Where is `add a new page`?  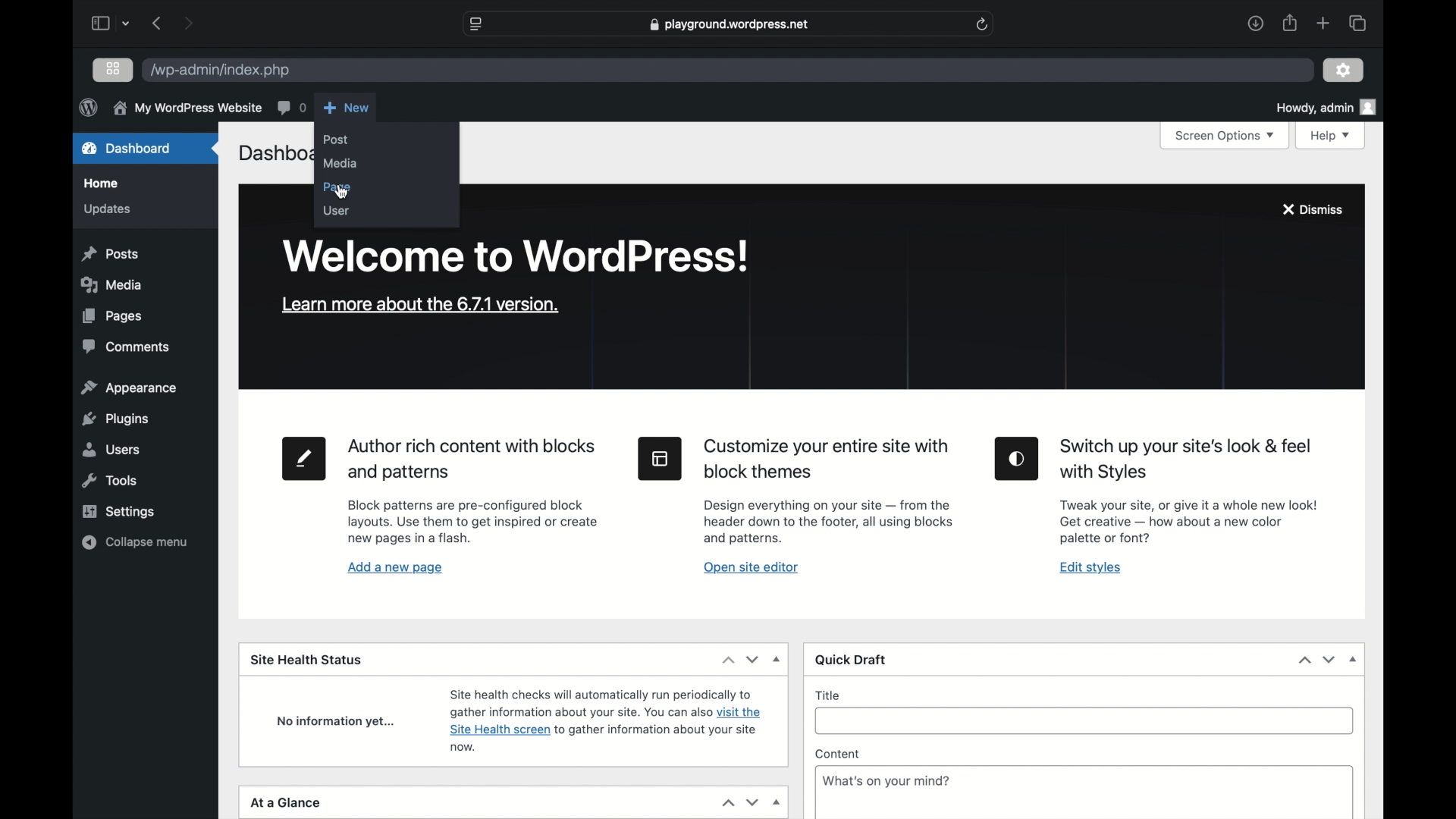 add a new page is located at coordinates (395, 567).